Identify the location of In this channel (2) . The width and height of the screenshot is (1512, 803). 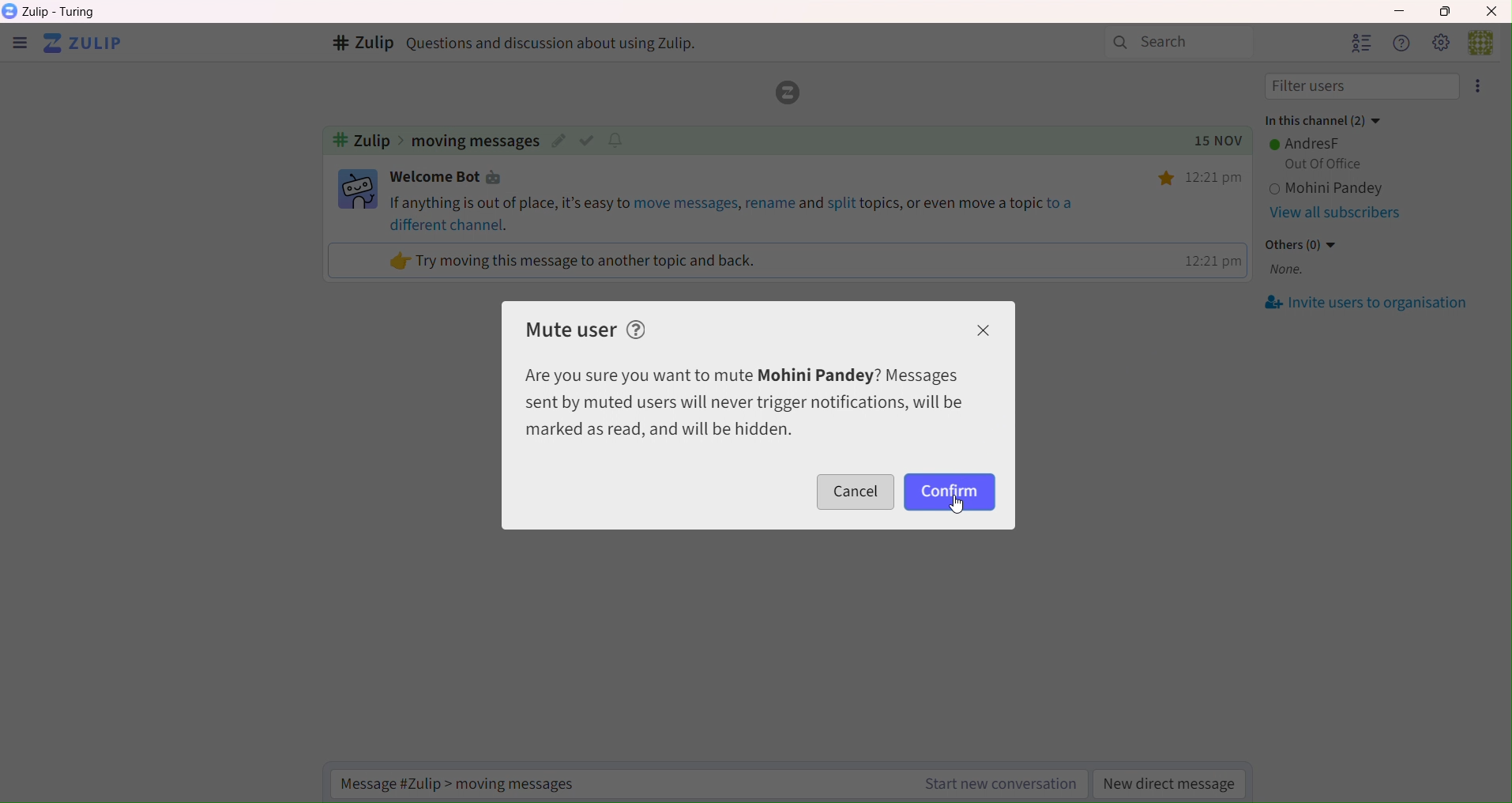
(1322, 118).